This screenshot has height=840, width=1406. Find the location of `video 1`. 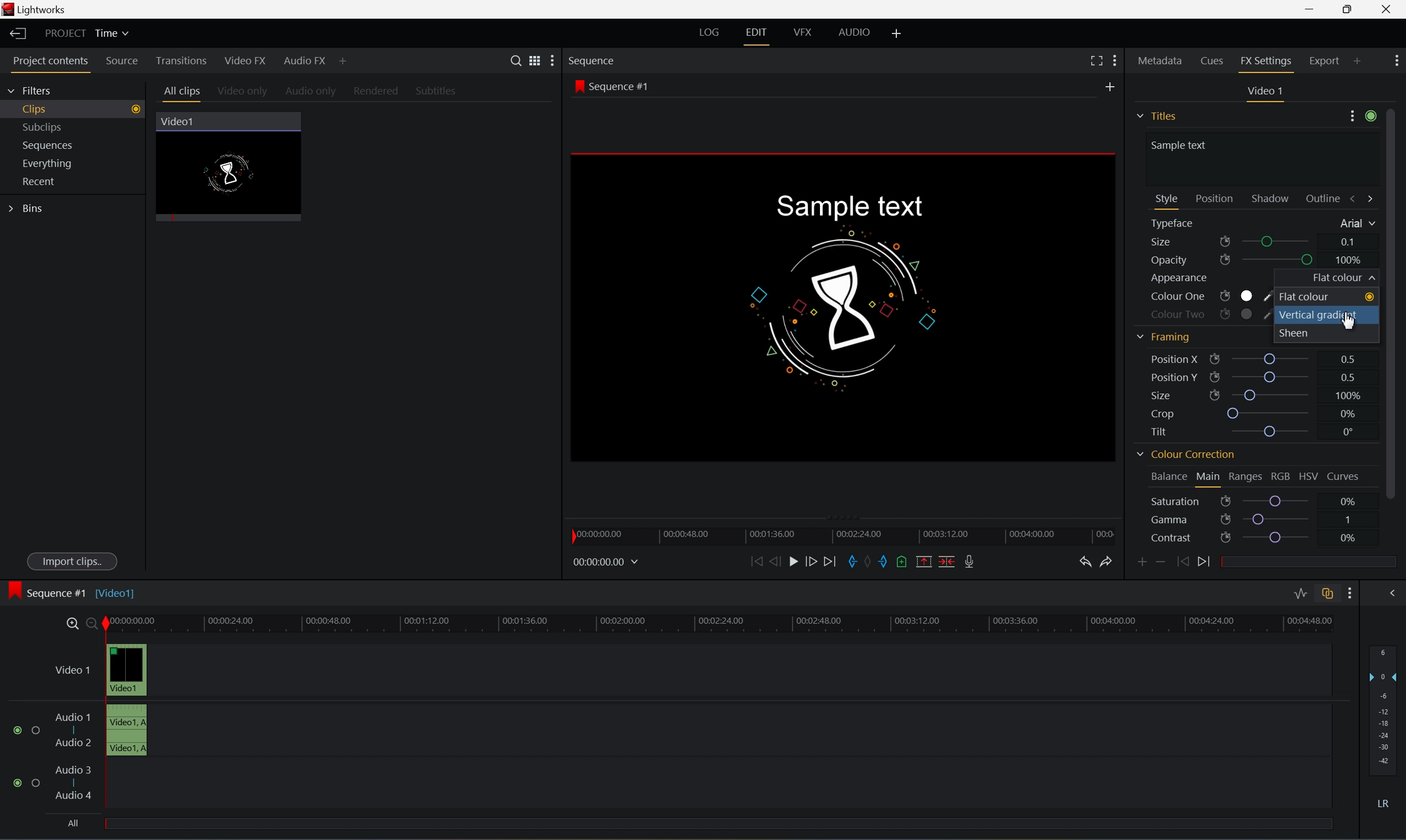

video 1 is located at coordinates (1267, 91).